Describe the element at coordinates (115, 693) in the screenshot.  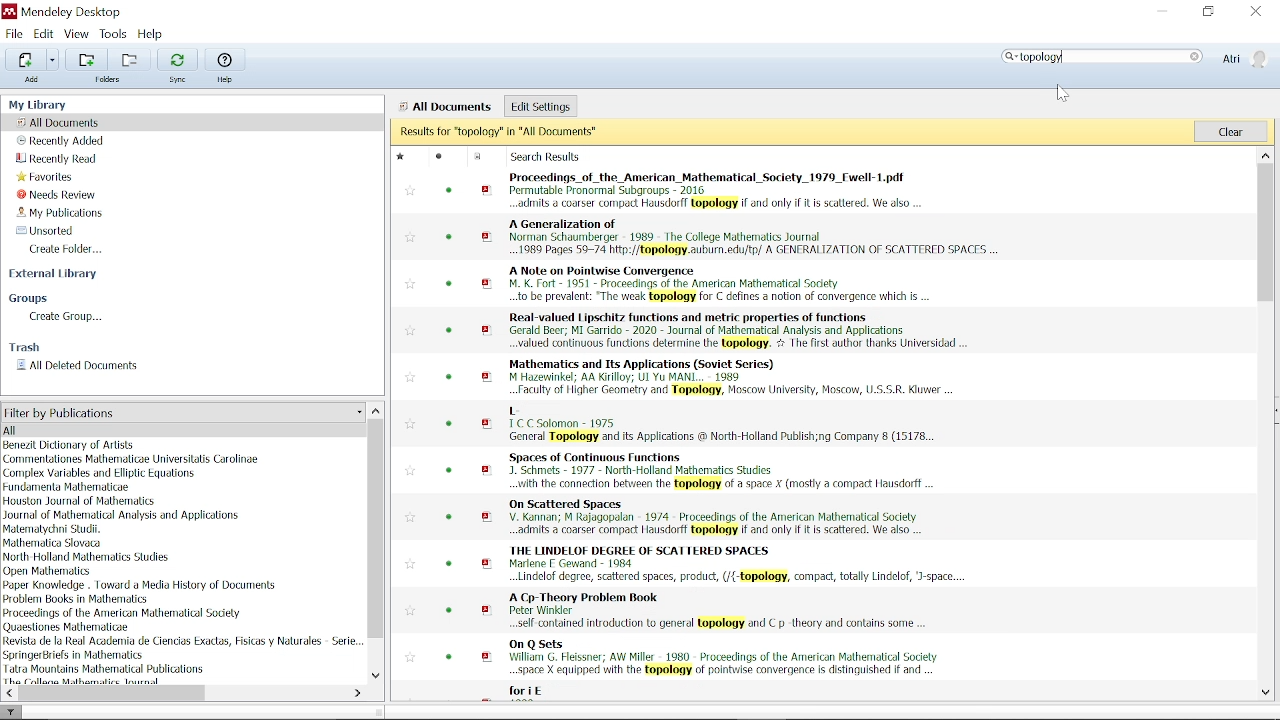
I see `Horizontal scrollbar for filter by publications` at that location.